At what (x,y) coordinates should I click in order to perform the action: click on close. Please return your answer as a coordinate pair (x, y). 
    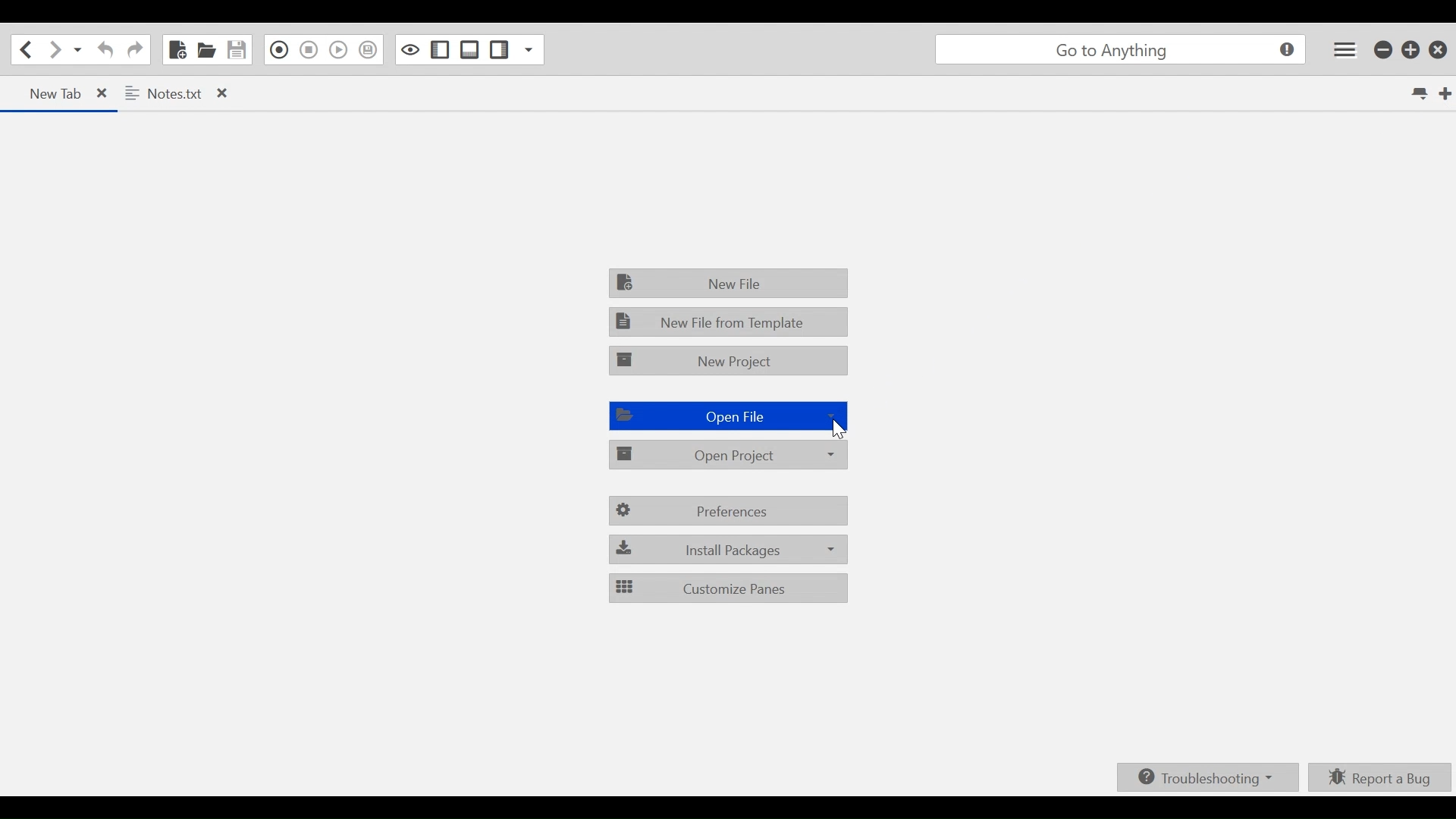
    Looking at the image, I should click on (224, 94).